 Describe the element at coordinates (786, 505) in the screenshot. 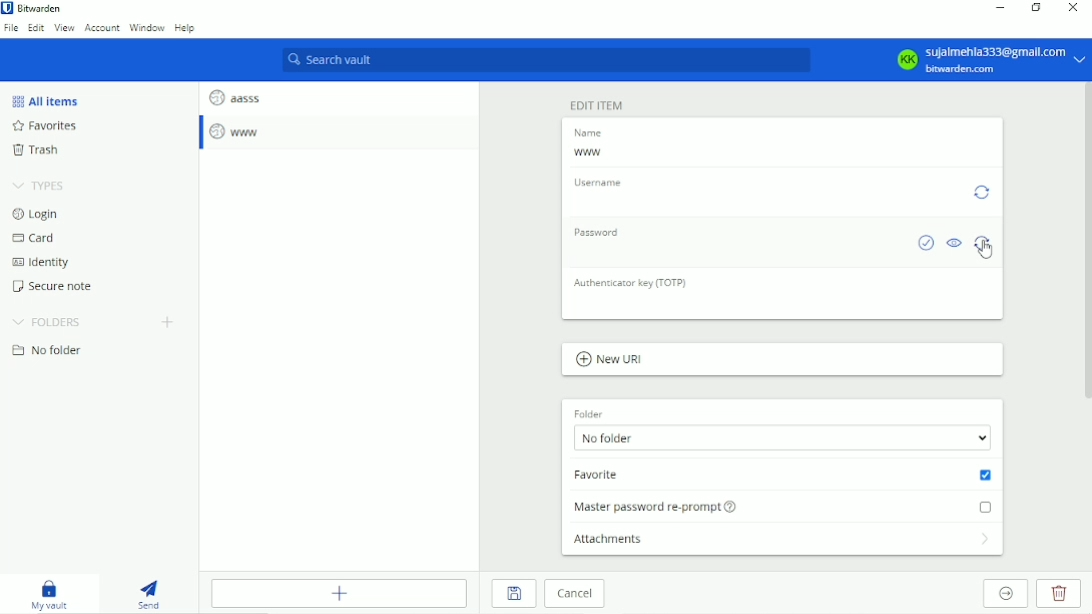

I see `Master password re-prompt` at that location.